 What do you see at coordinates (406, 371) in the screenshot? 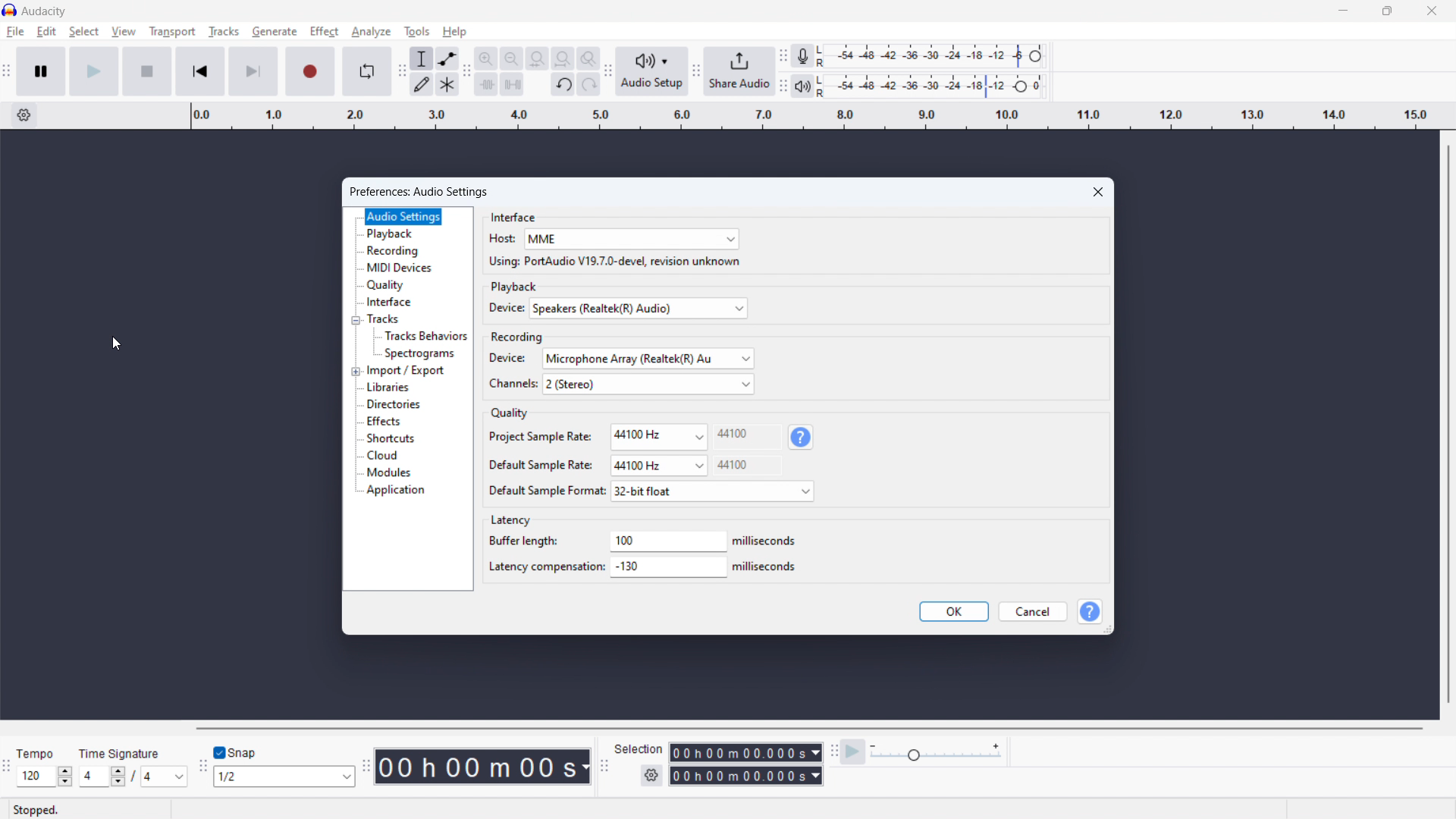
I see `import/export` at bounding box center [406, 371].